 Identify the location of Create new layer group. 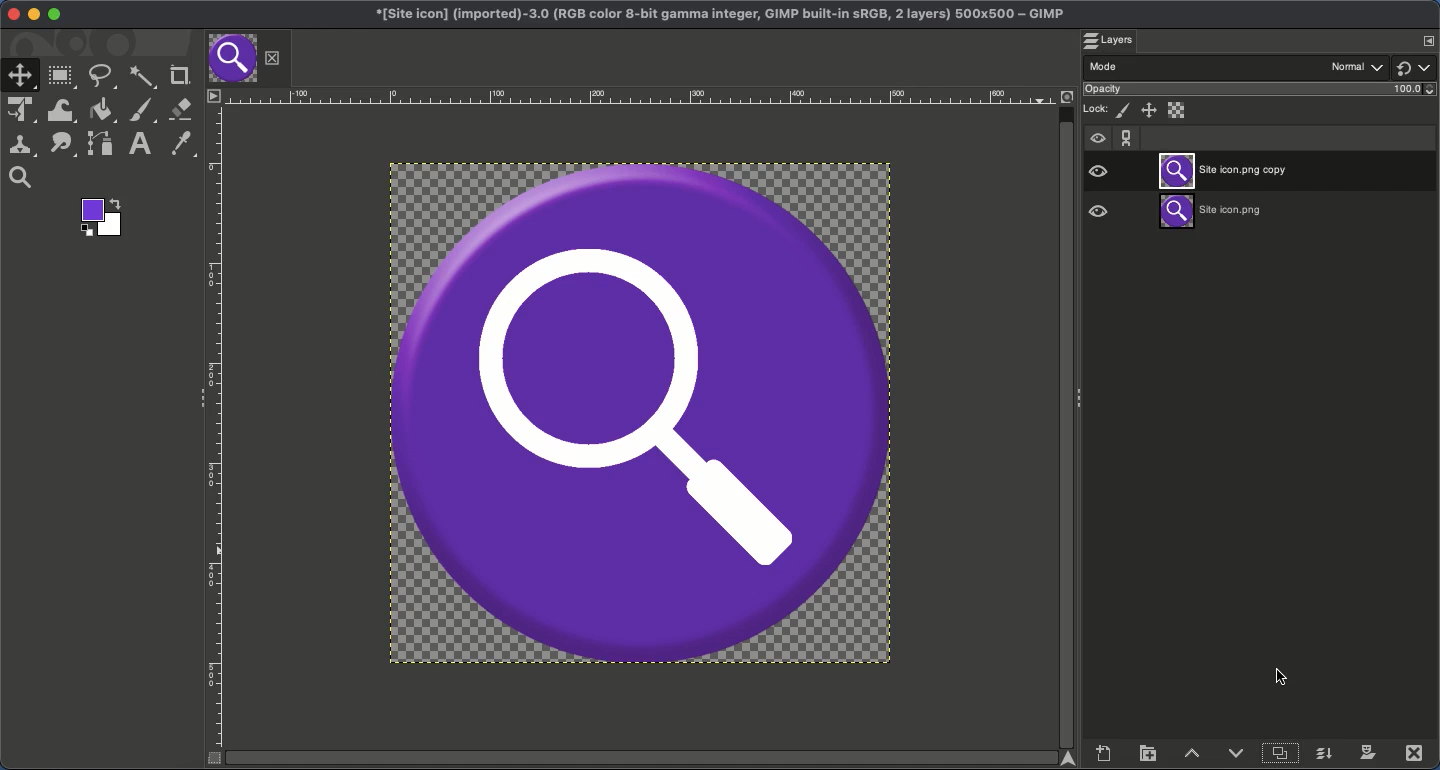
(1149, 751).